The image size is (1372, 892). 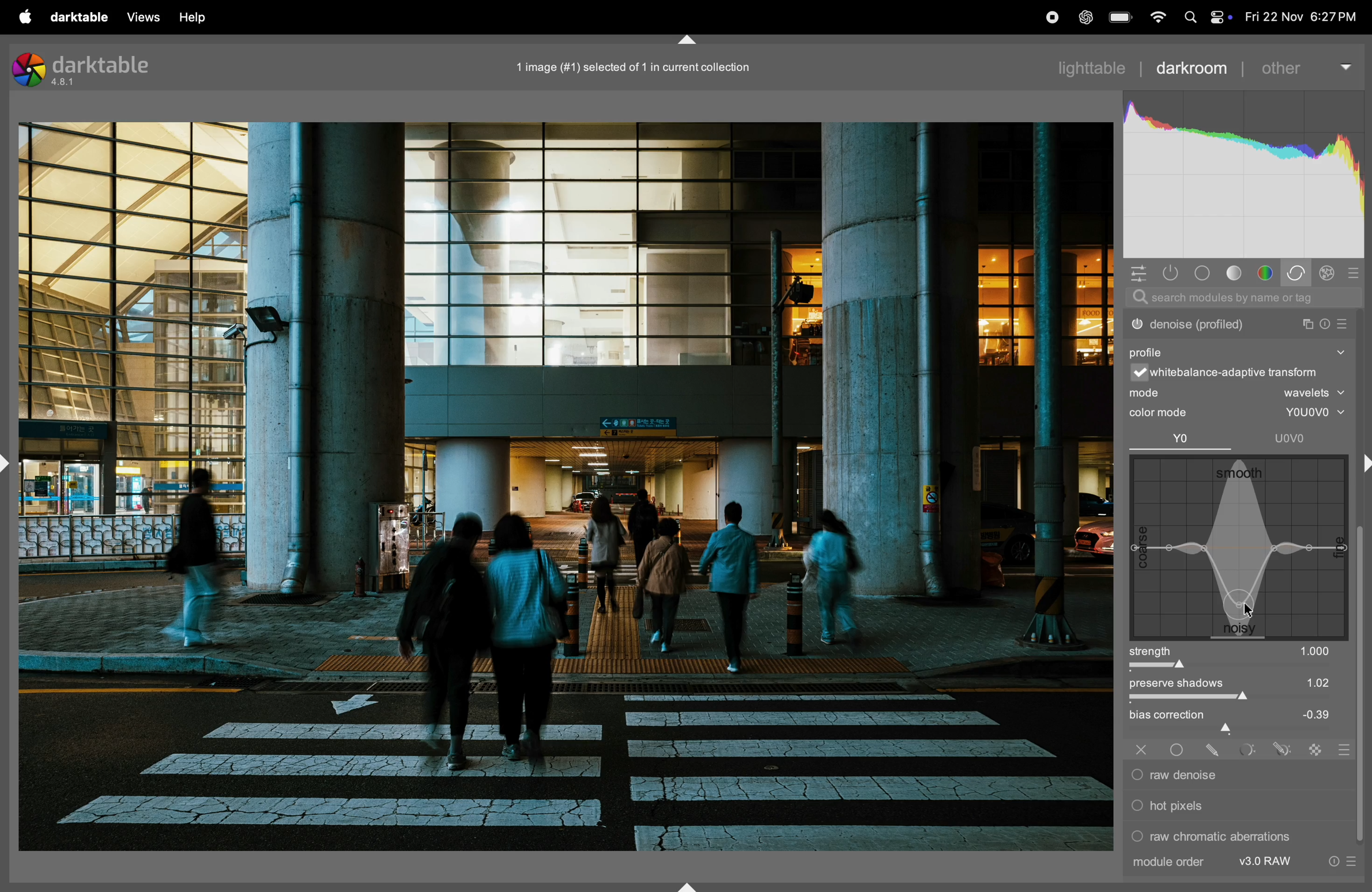 I want to click on color mode, so click(x=1160, y=415).